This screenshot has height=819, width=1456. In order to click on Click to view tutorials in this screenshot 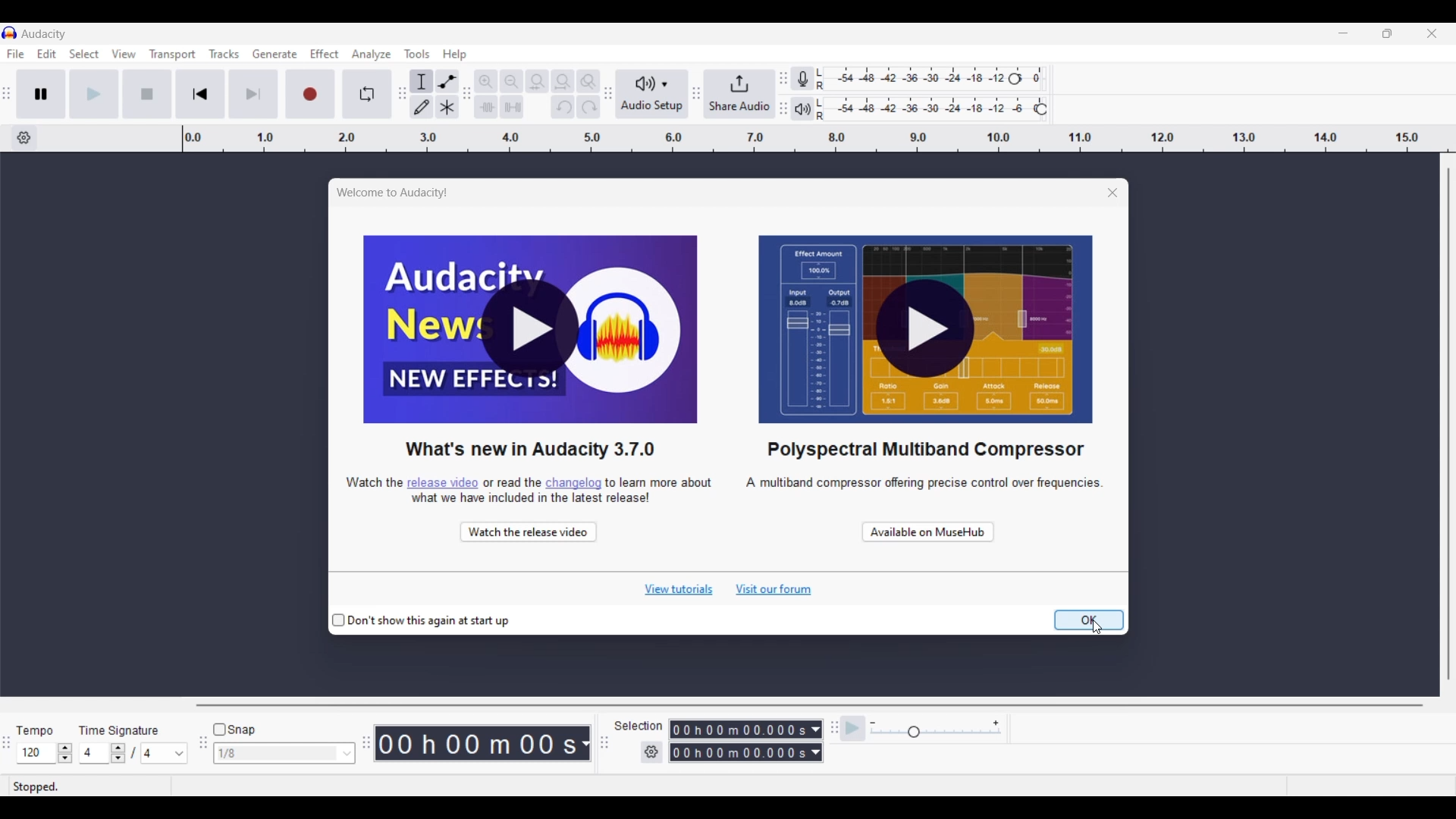, I will do `click(678, 590)`.